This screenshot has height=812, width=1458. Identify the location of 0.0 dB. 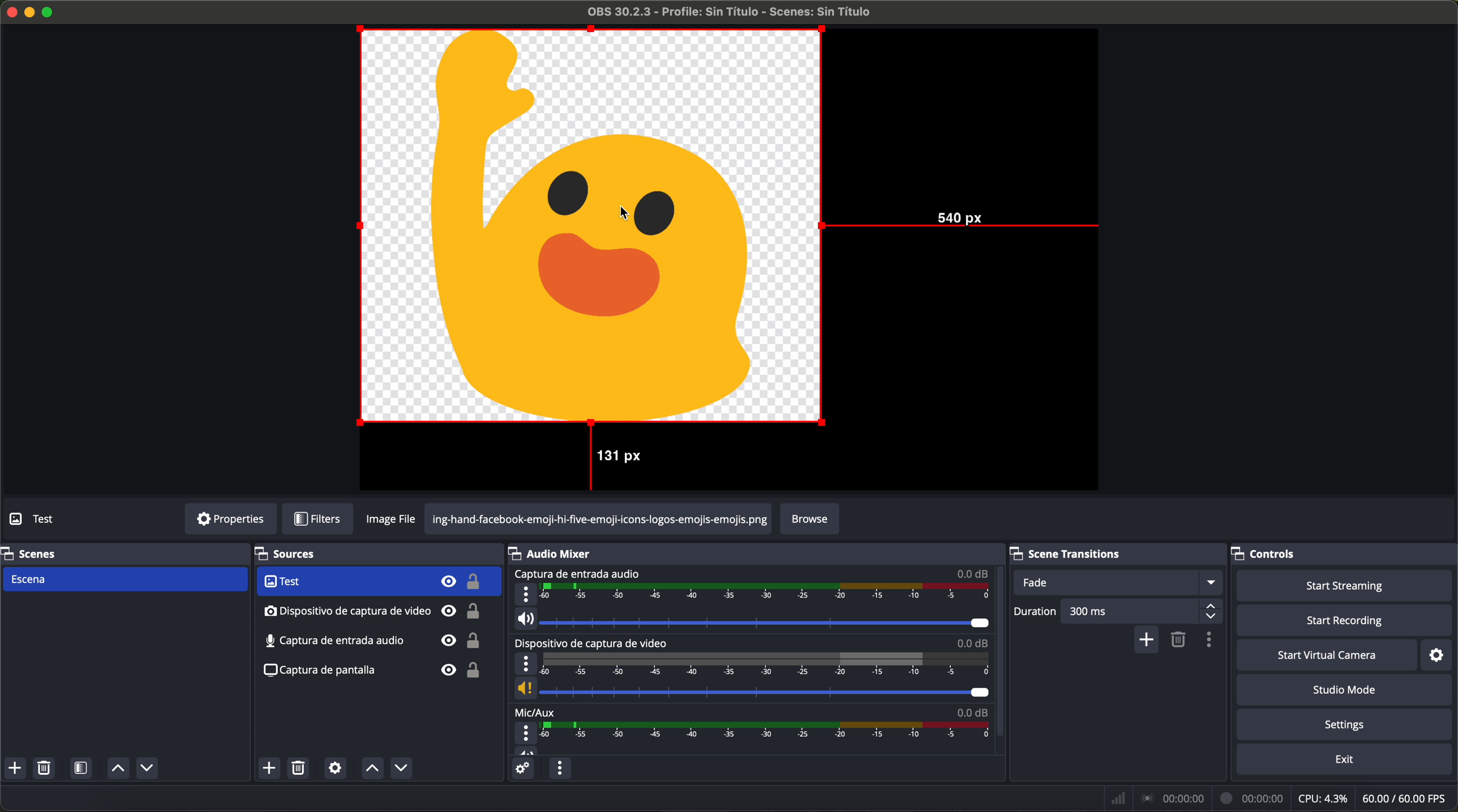
(974, 573).